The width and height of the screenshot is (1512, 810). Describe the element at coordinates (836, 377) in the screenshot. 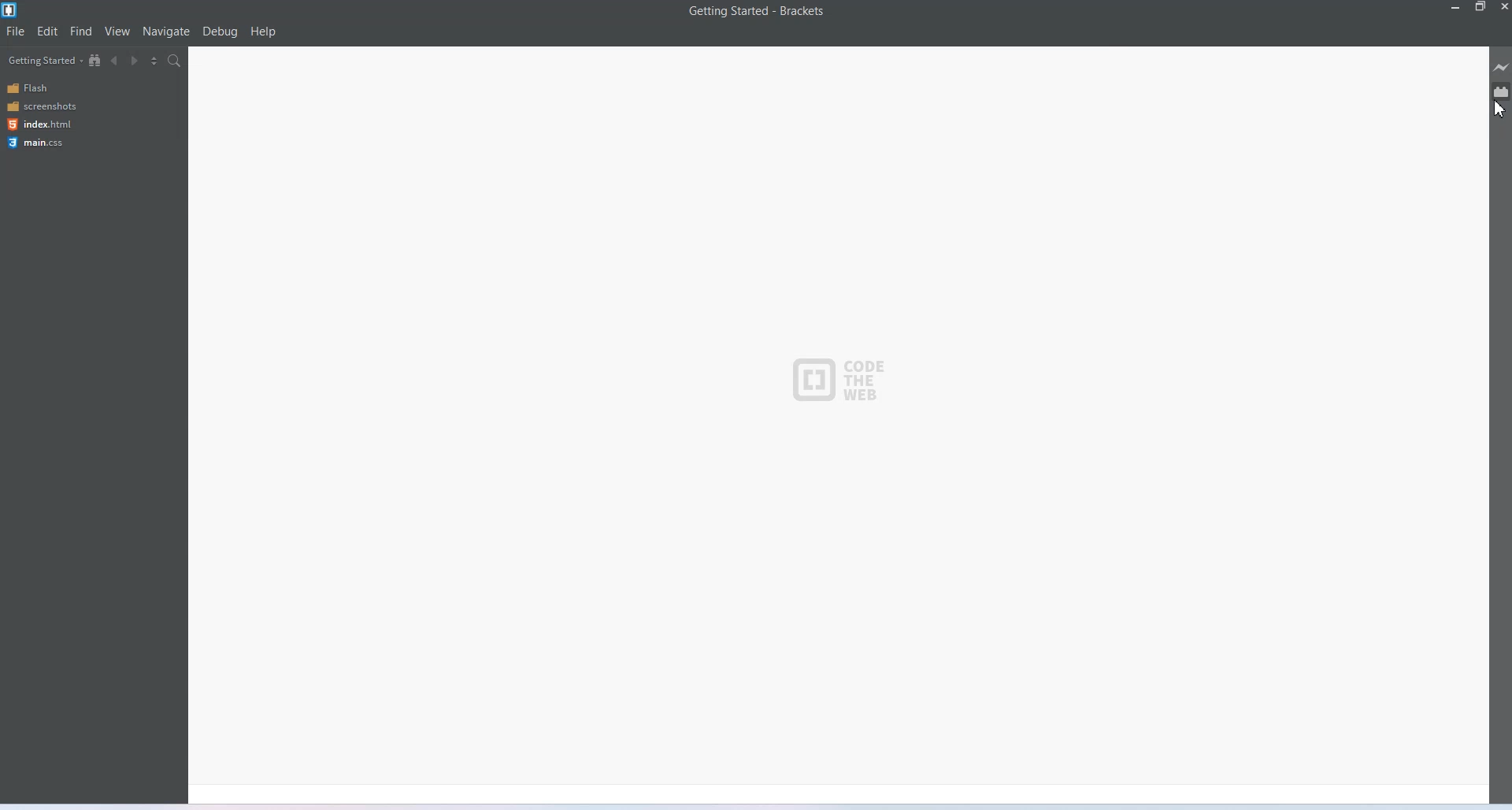

I see `Logo` at that location.